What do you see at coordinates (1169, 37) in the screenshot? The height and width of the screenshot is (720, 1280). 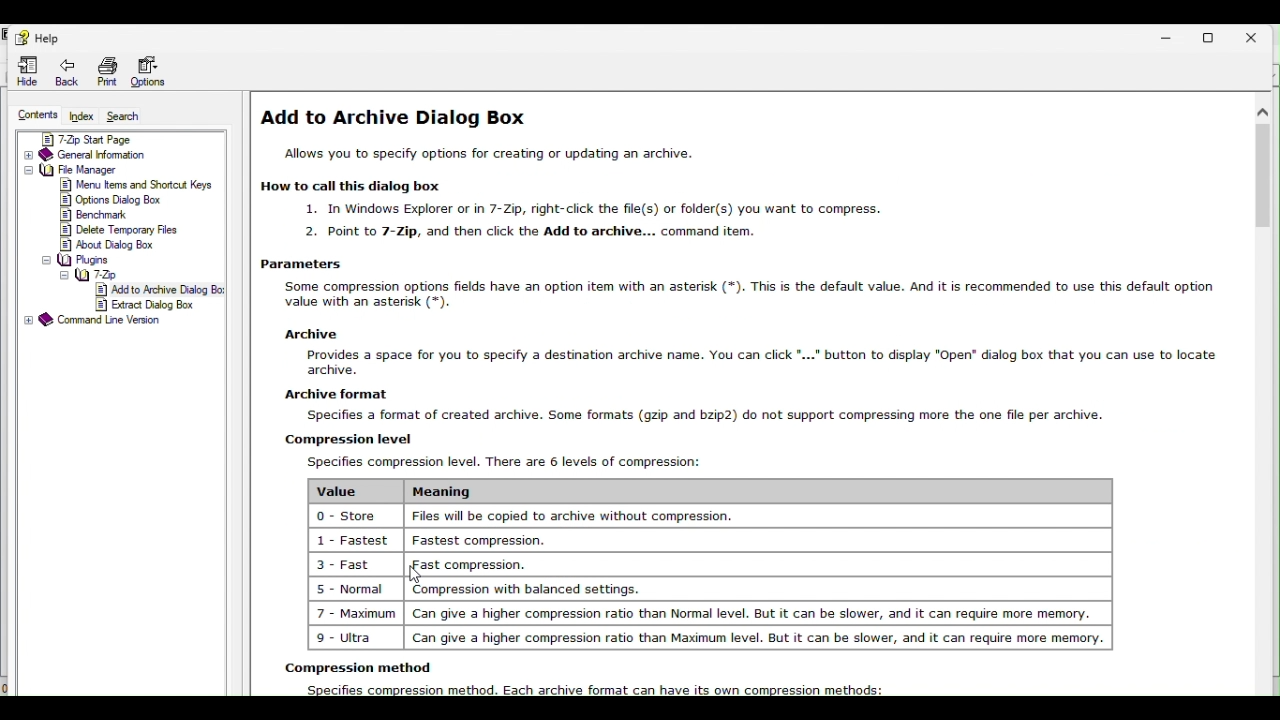 I see `Minimize` at bounding box center [1169, 37].